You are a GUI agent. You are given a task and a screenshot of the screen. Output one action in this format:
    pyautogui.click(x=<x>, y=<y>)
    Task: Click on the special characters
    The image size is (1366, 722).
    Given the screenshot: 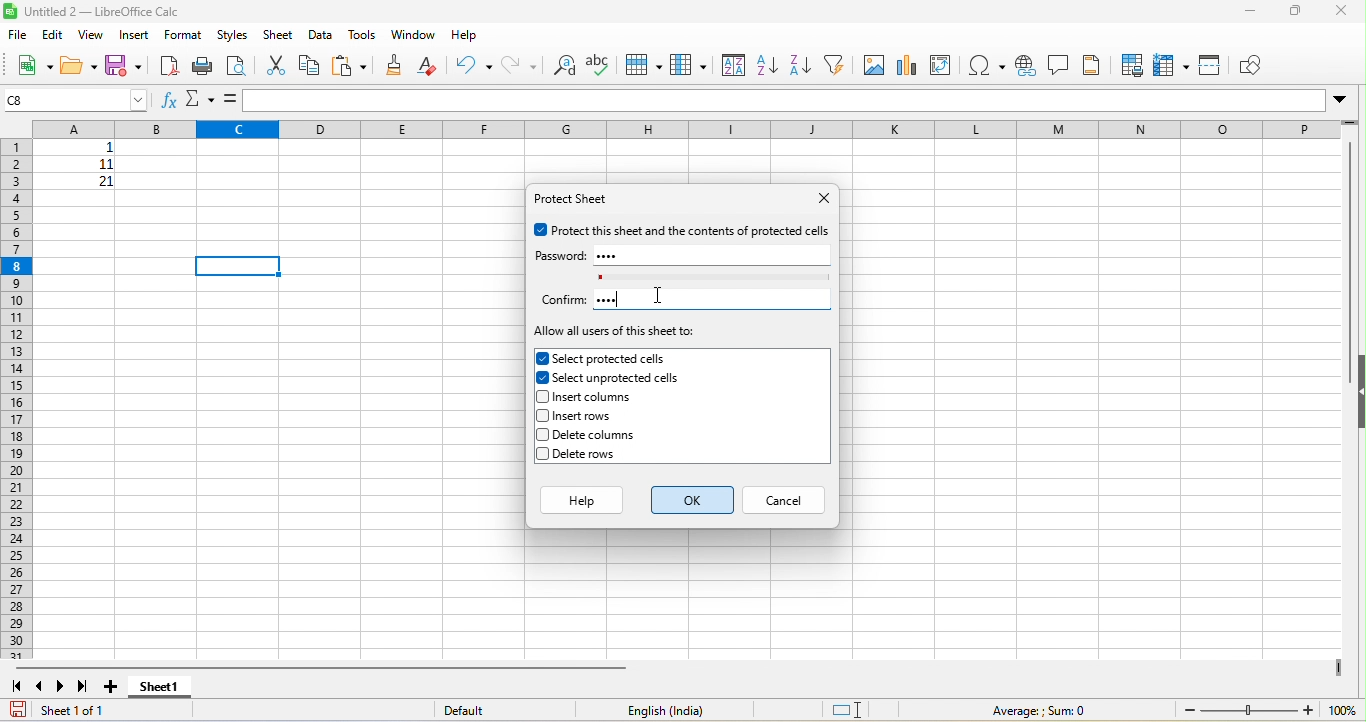 What is the action you would take?
    pyautogui.click(x=988, y=64)
    